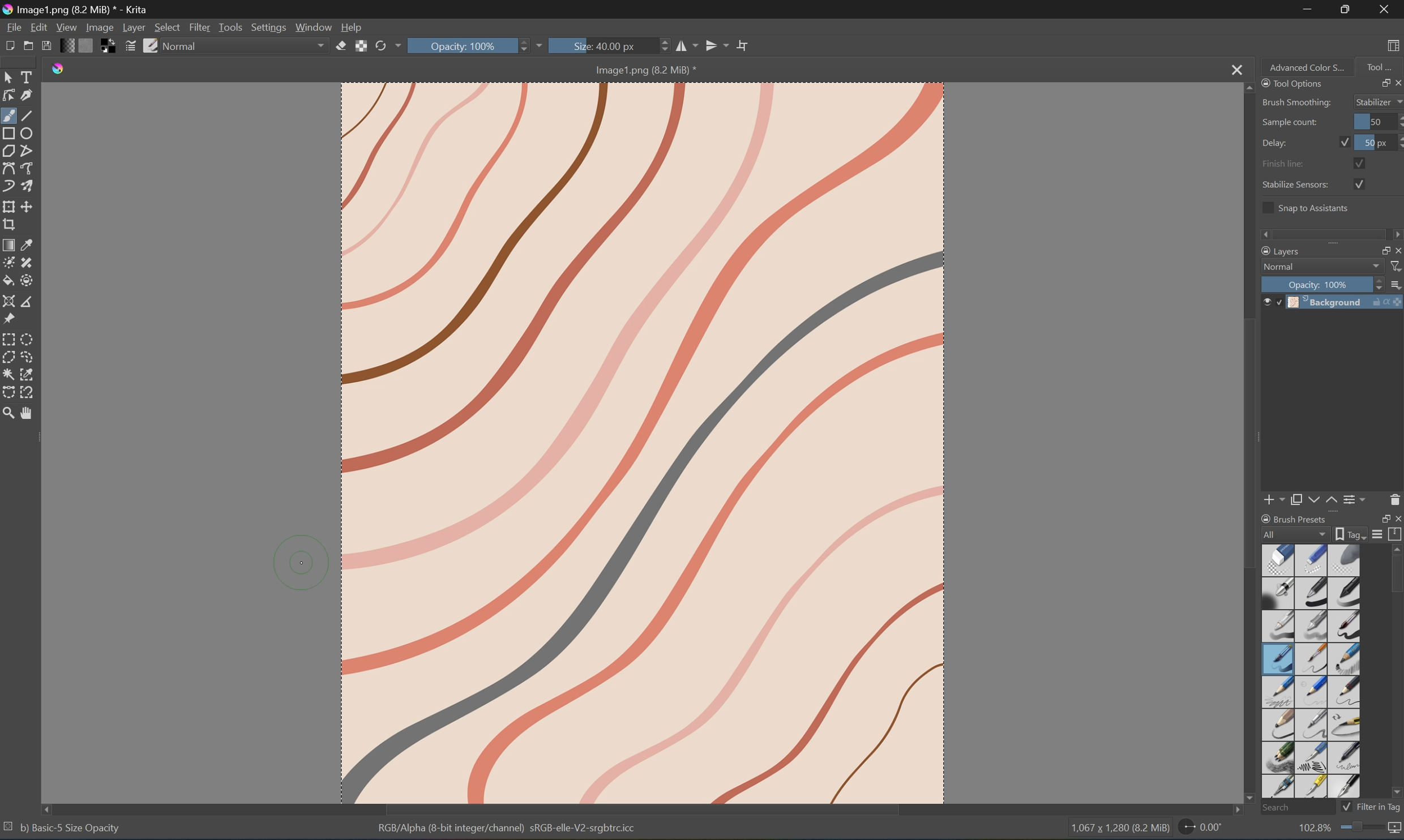 The width and height of the screenshot is (1404, 840). I want to click on Scroll Bar, so click(1395, 576).